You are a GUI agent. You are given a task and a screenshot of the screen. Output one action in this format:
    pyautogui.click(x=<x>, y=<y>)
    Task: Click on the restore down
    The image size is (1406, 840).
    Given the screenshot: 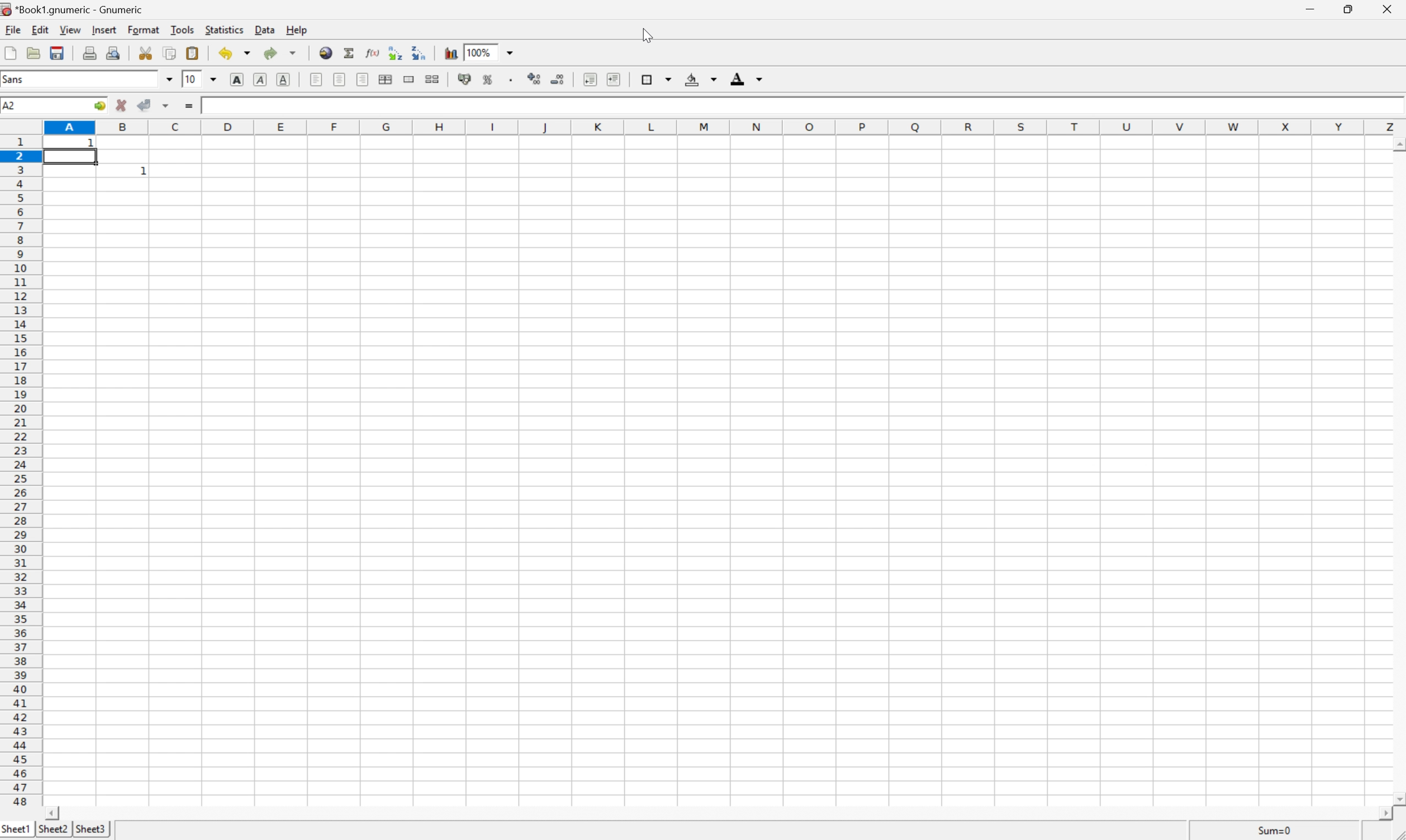 What is the action you would take?
    pyautogui.click(x=1348, y=10)
    